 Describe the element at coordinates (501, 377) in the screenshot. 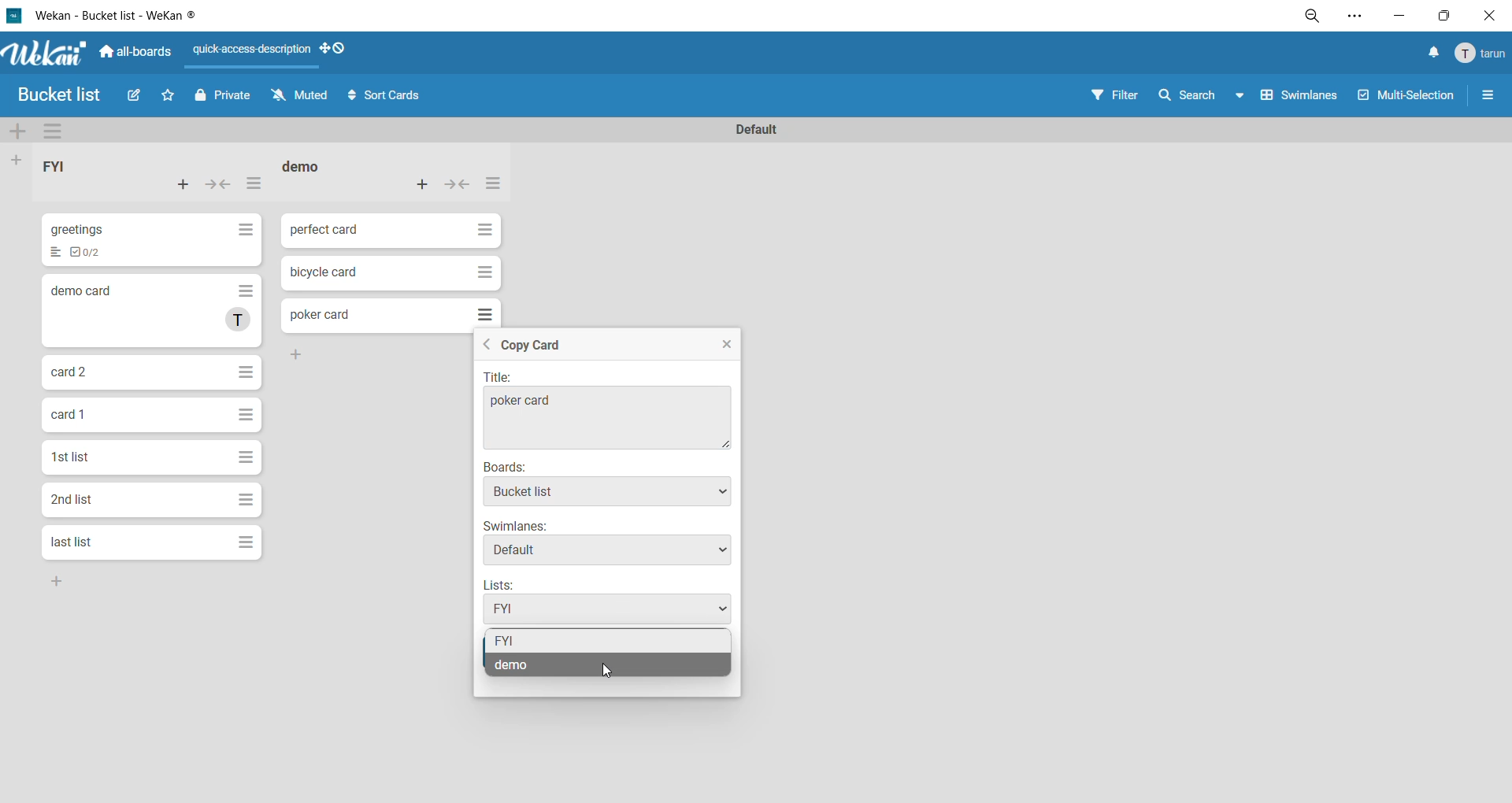

I see `Title:` at that location.